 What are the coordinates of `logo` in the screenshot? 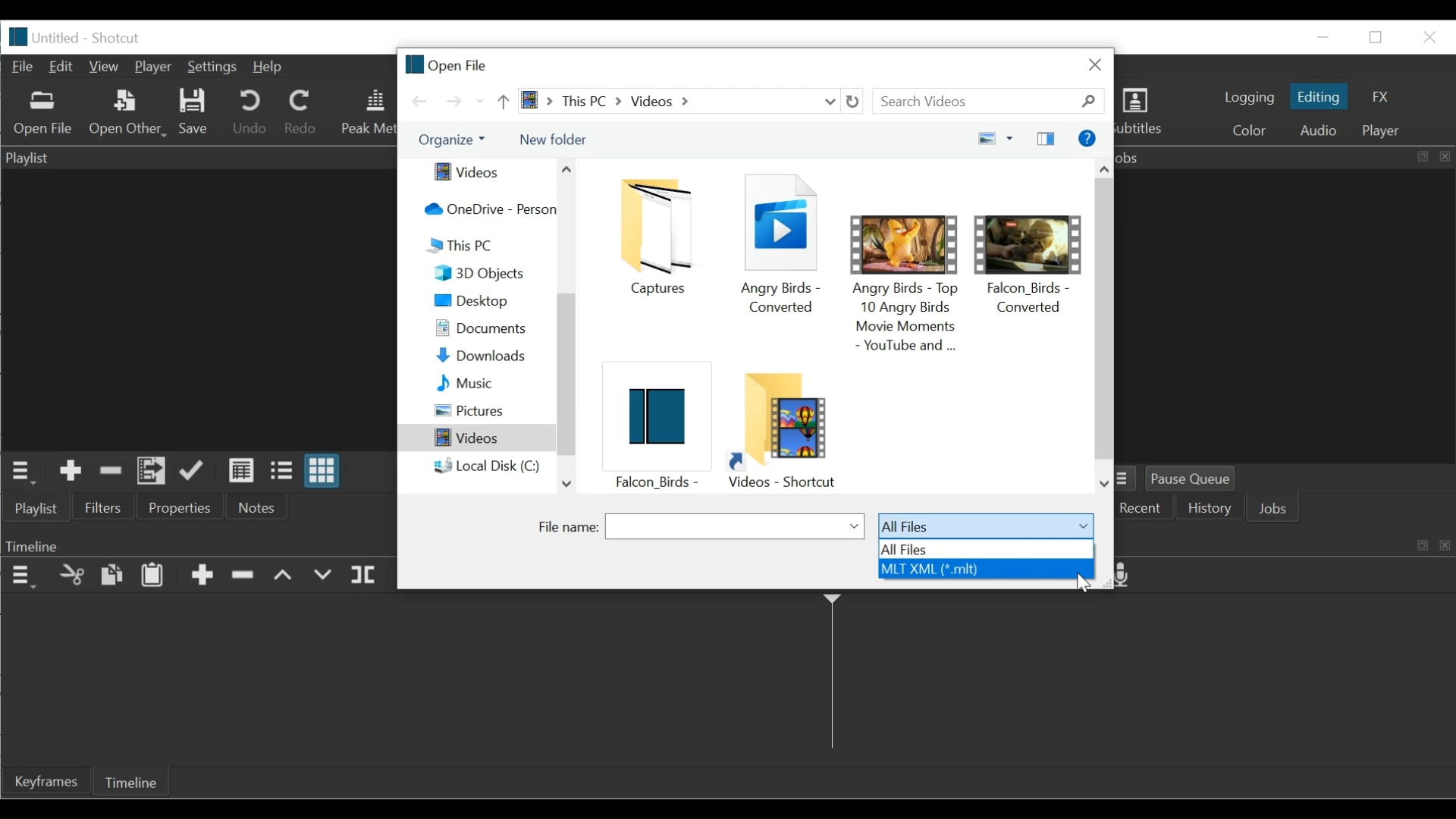 It's located at (19, 37).